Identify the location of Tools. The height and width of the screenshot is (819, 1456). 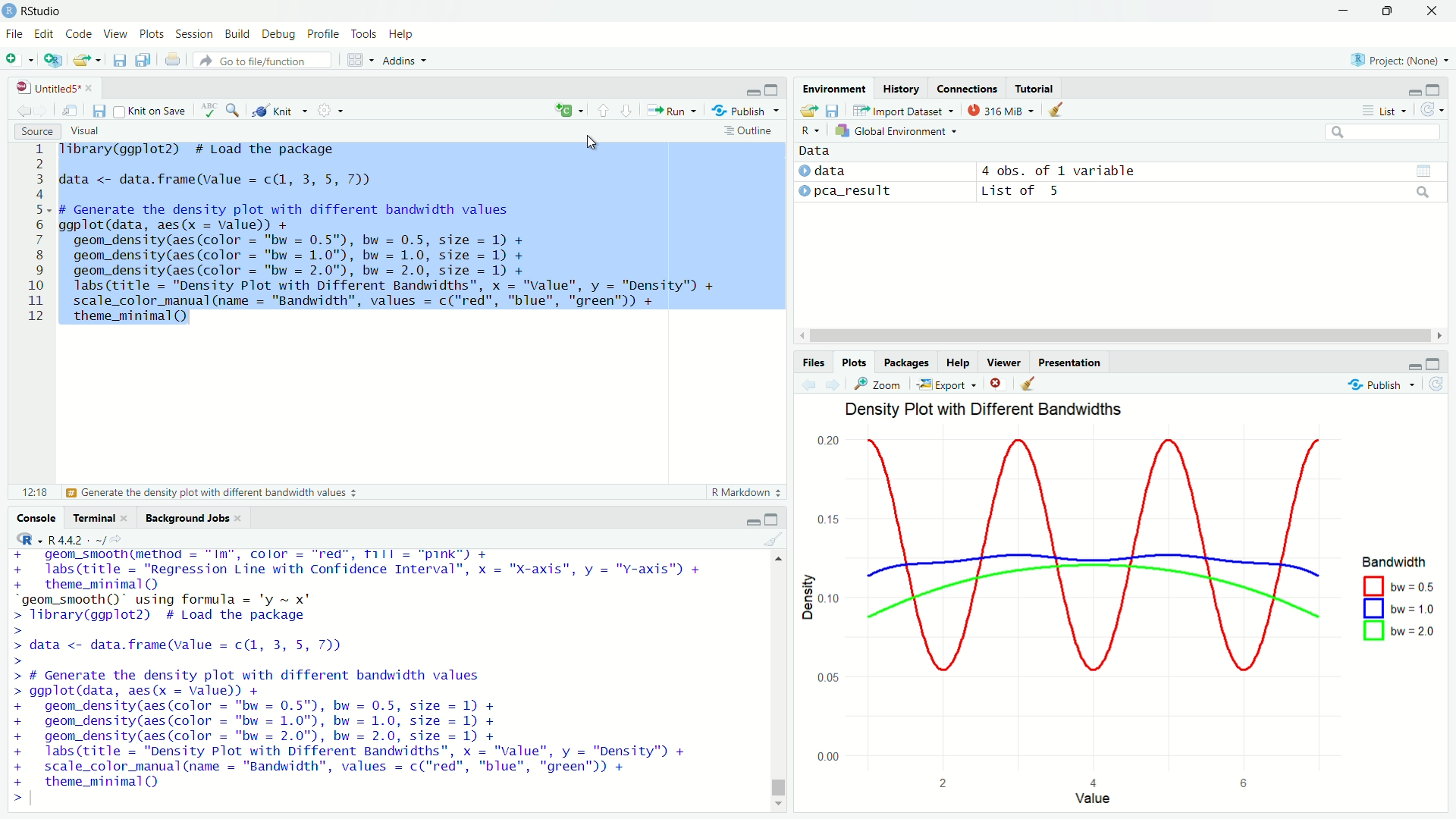
(364, 33).